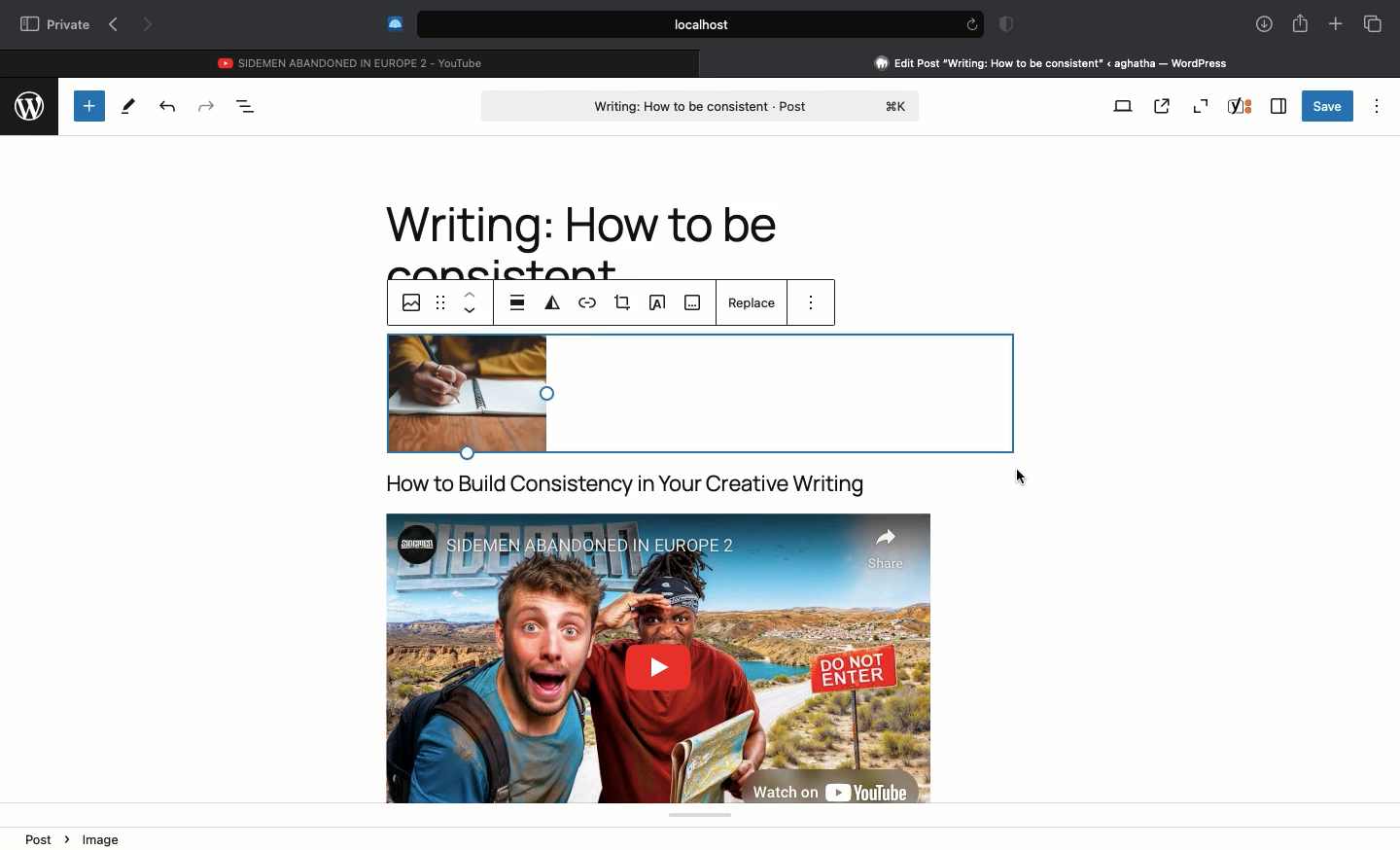 The height and width of the screenshot is (850, 1400). Describe the element at coordinates (28, 103) in the screenshot. I see `wordpress` at that location.